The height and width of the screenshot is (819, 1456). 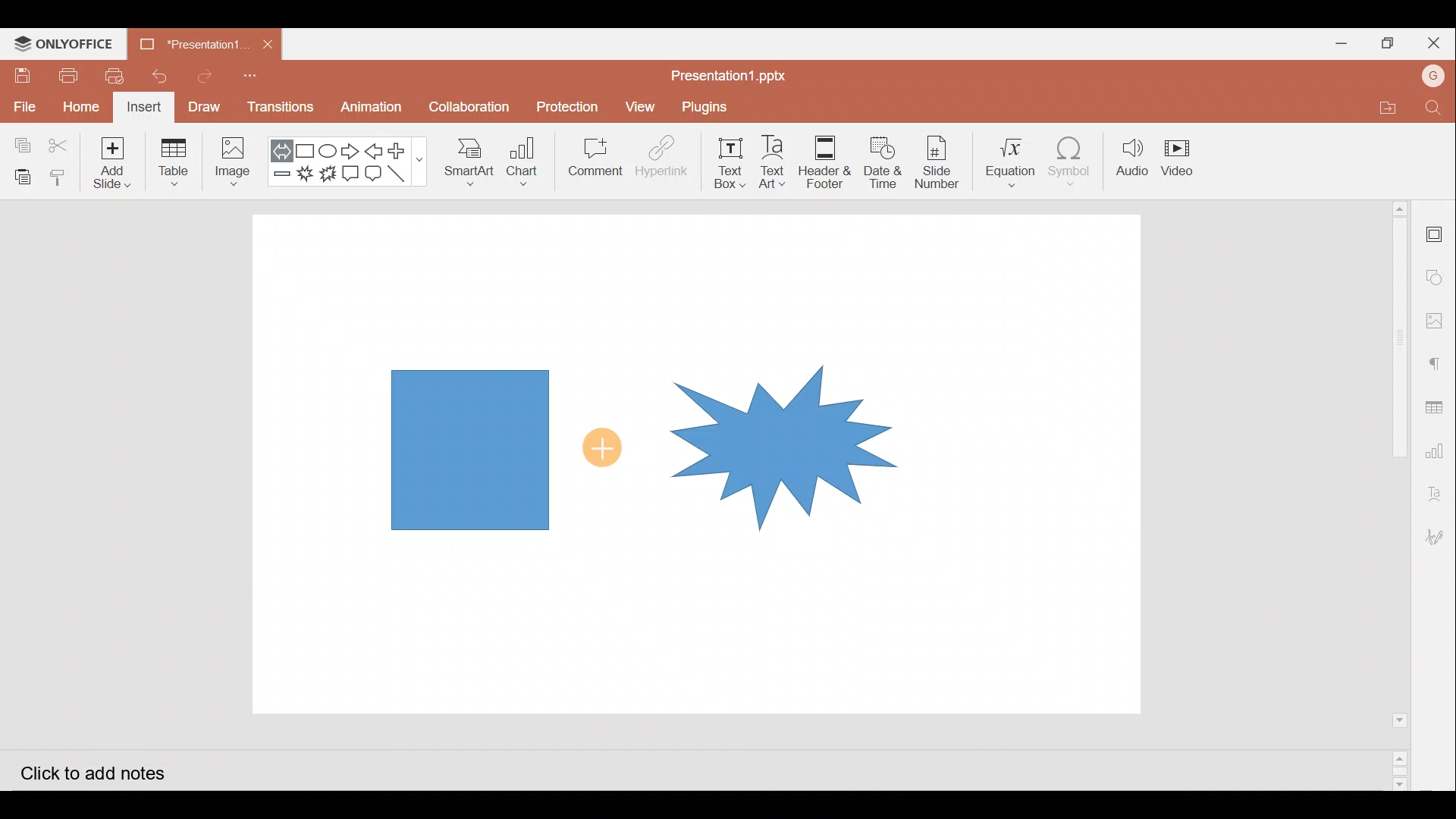 What do you see at coordinates (188, 47) in the screenshot?
I see `Presentation1.` at bounding box center [188, 47].